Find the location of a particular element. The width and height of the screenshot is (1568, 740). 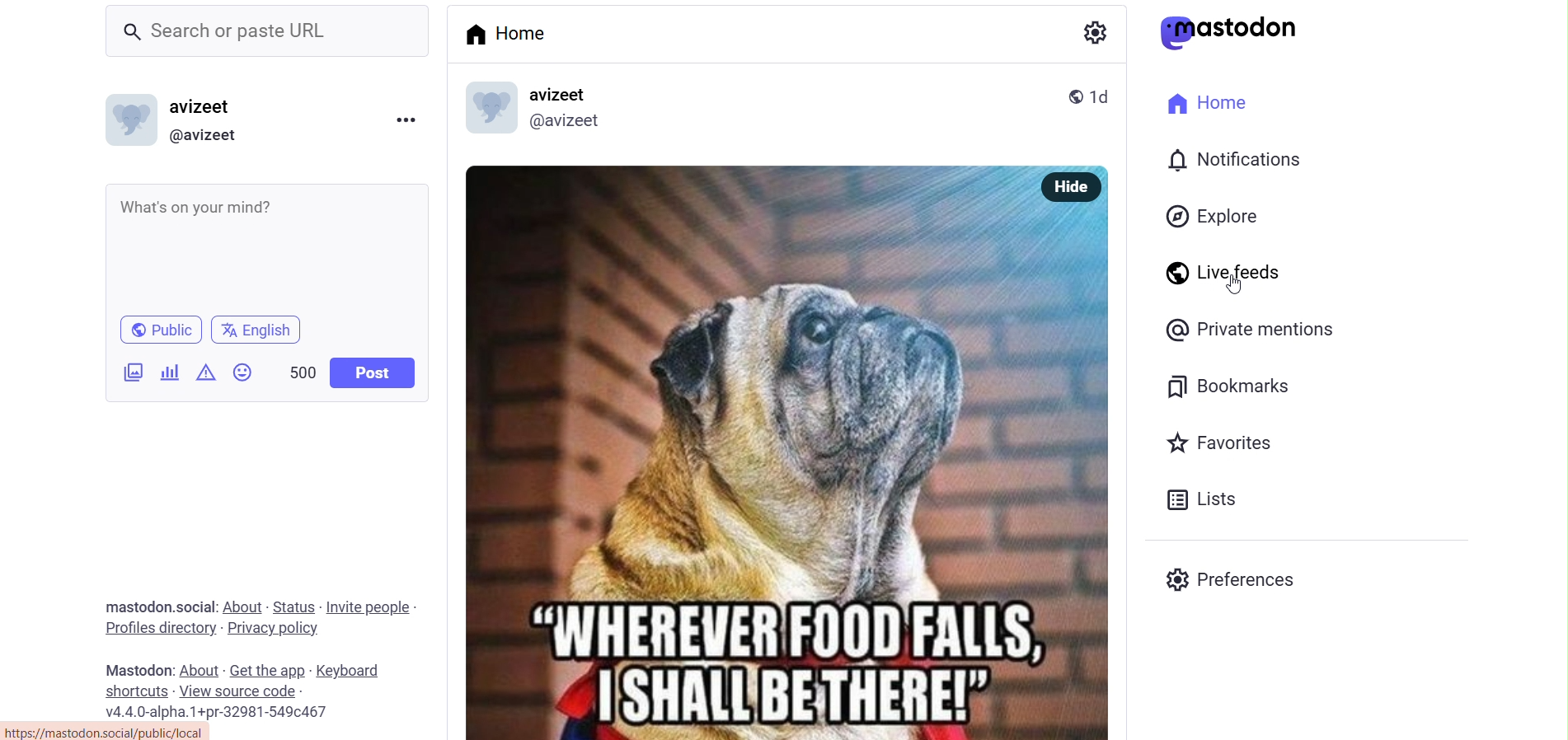

search is located at coordinates (267, 32).